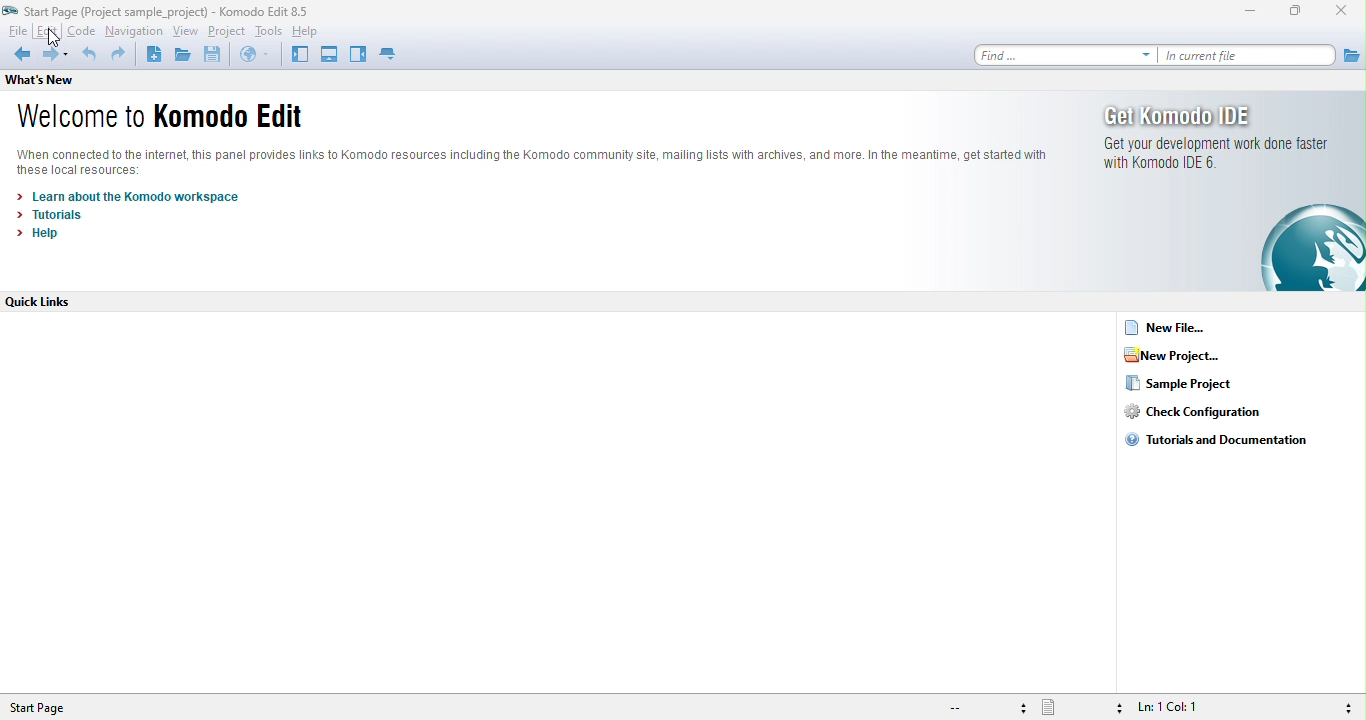 Image resolution: width=1366 pixels, height=720 pixels. What do you see at coordinates (1255, 12) in the screenshot?
I see `minimize` at bounding box center [1255, 12].